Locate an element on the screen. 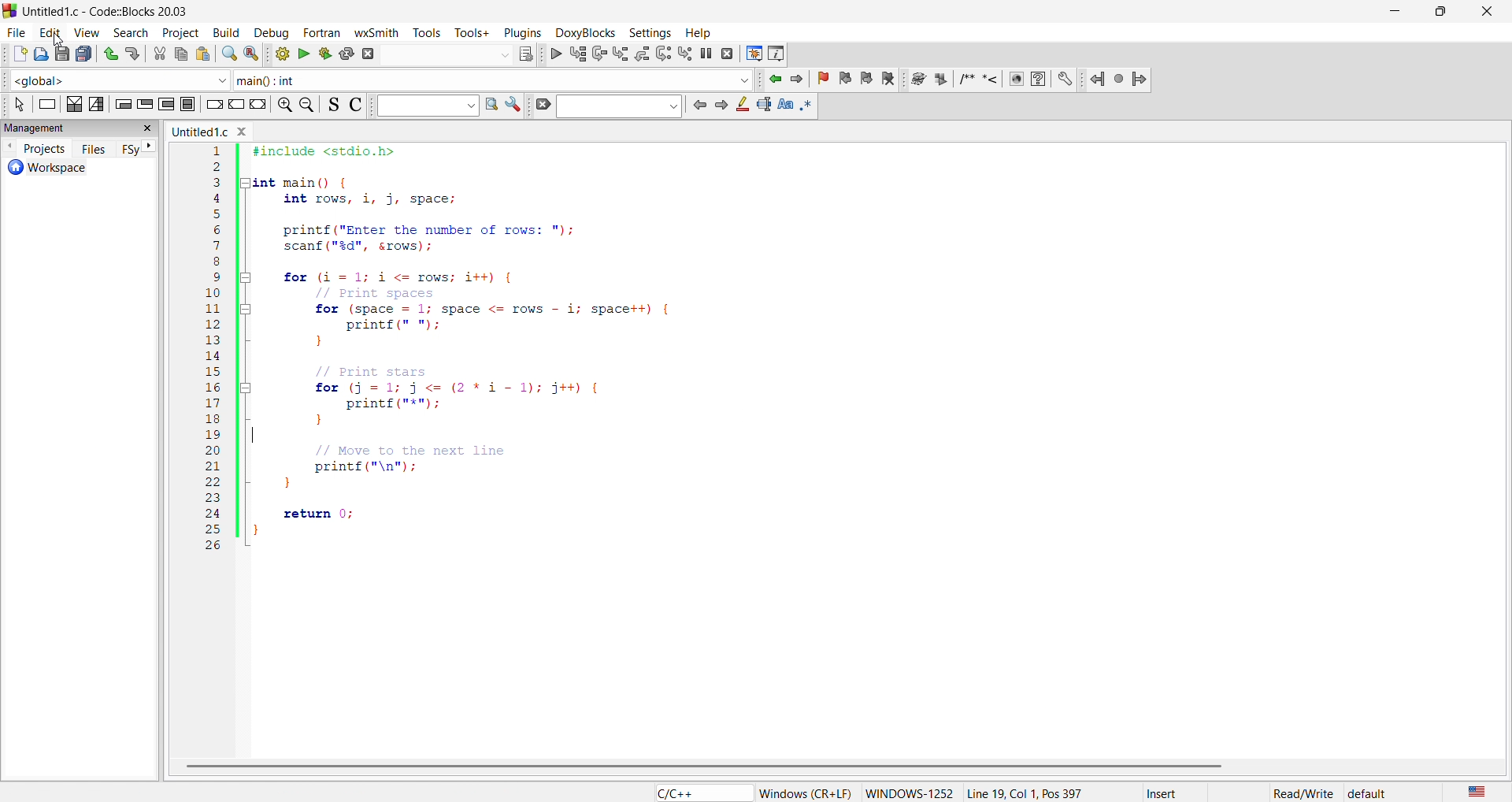 The image size is (1512, 802). default is located at coordinates (1368, 793).